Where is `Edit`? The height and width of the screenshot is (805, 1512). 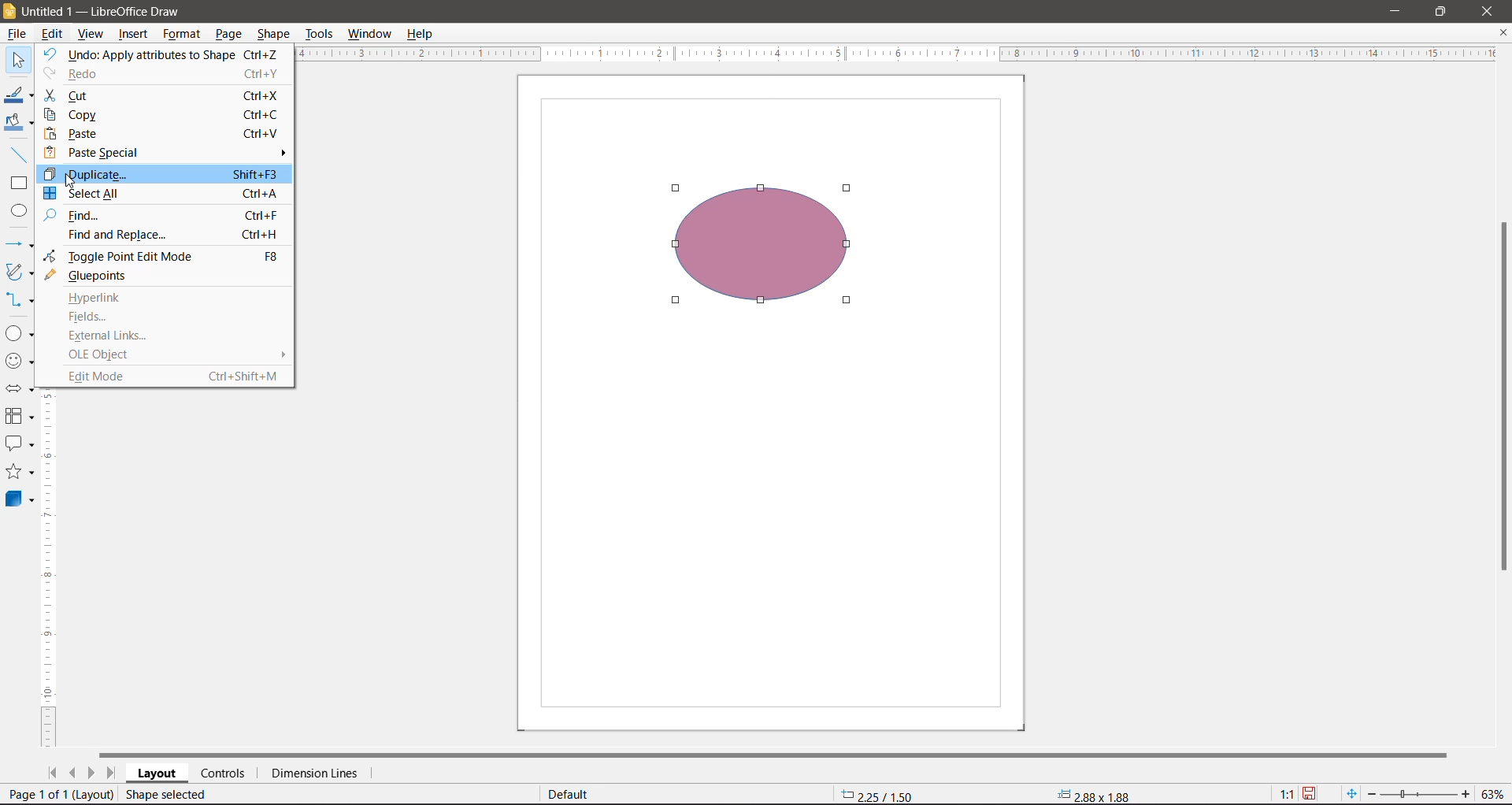
Edit is located at coordinates (54, 33).